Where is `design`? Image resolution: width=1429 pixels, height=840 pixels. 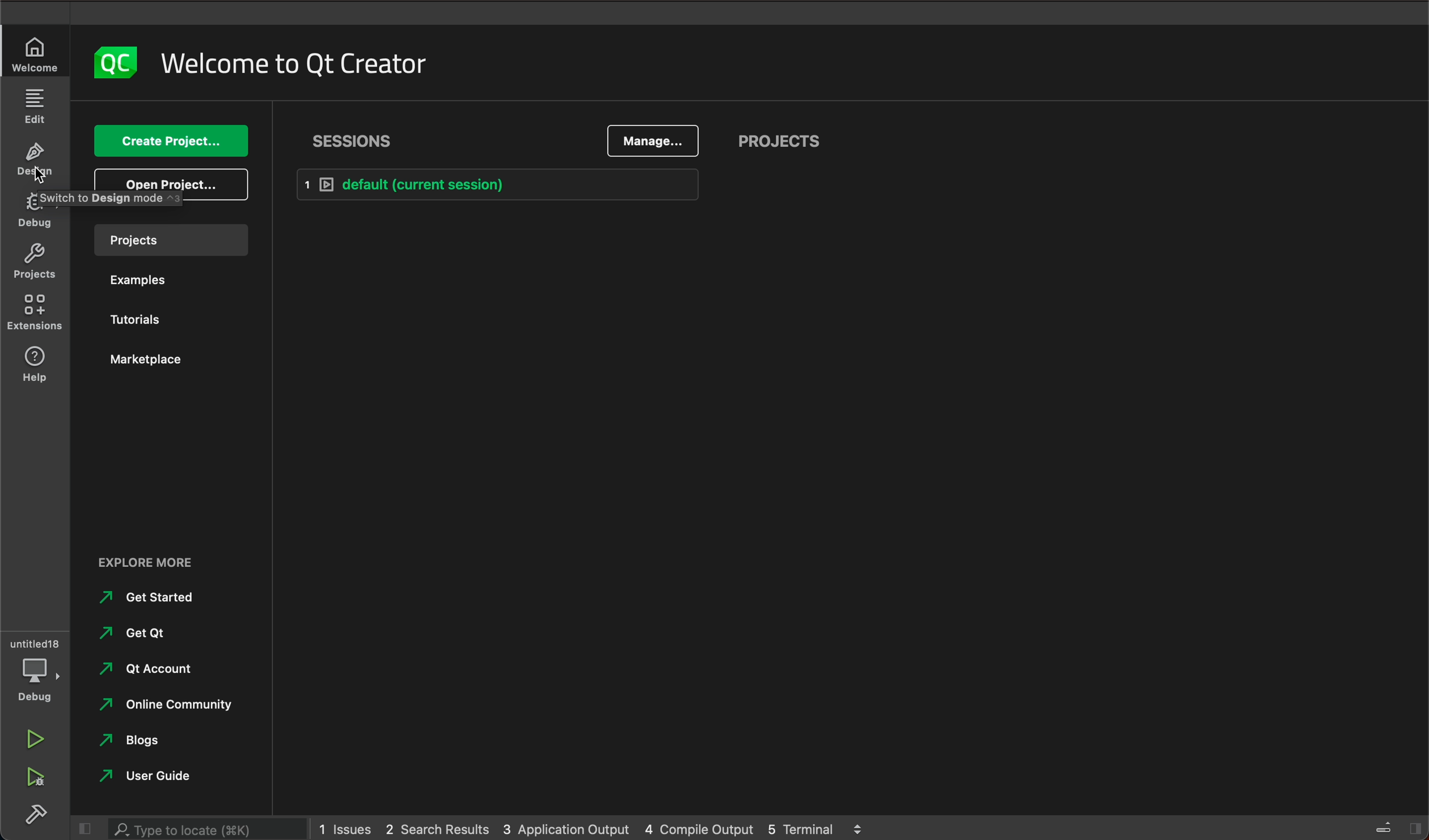
design is located at coordinates (33, 162).